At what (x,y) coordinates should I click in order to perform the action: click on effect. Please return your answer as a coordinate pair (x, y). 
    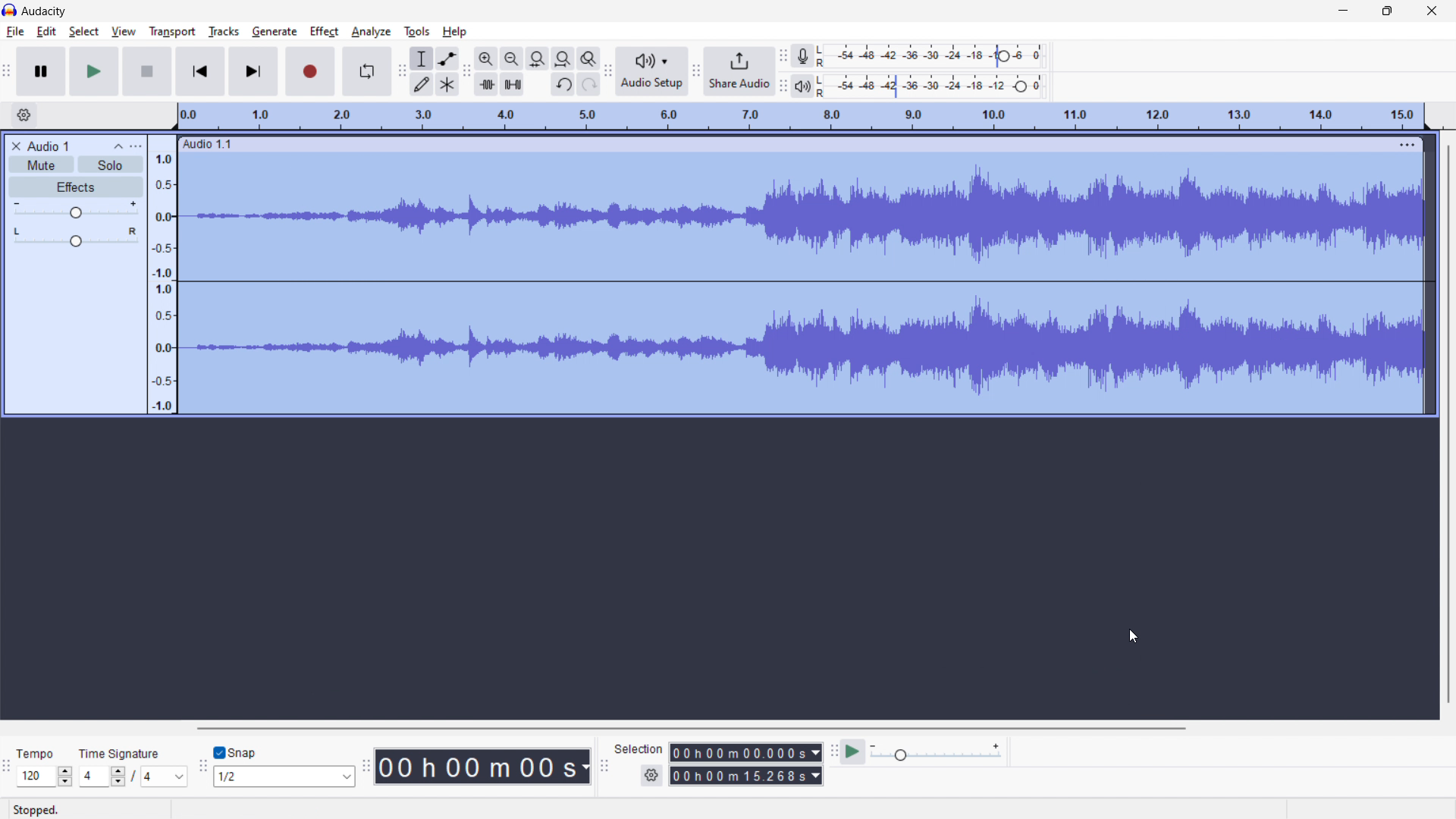
    Looking at the image, I should click on (324, 32).